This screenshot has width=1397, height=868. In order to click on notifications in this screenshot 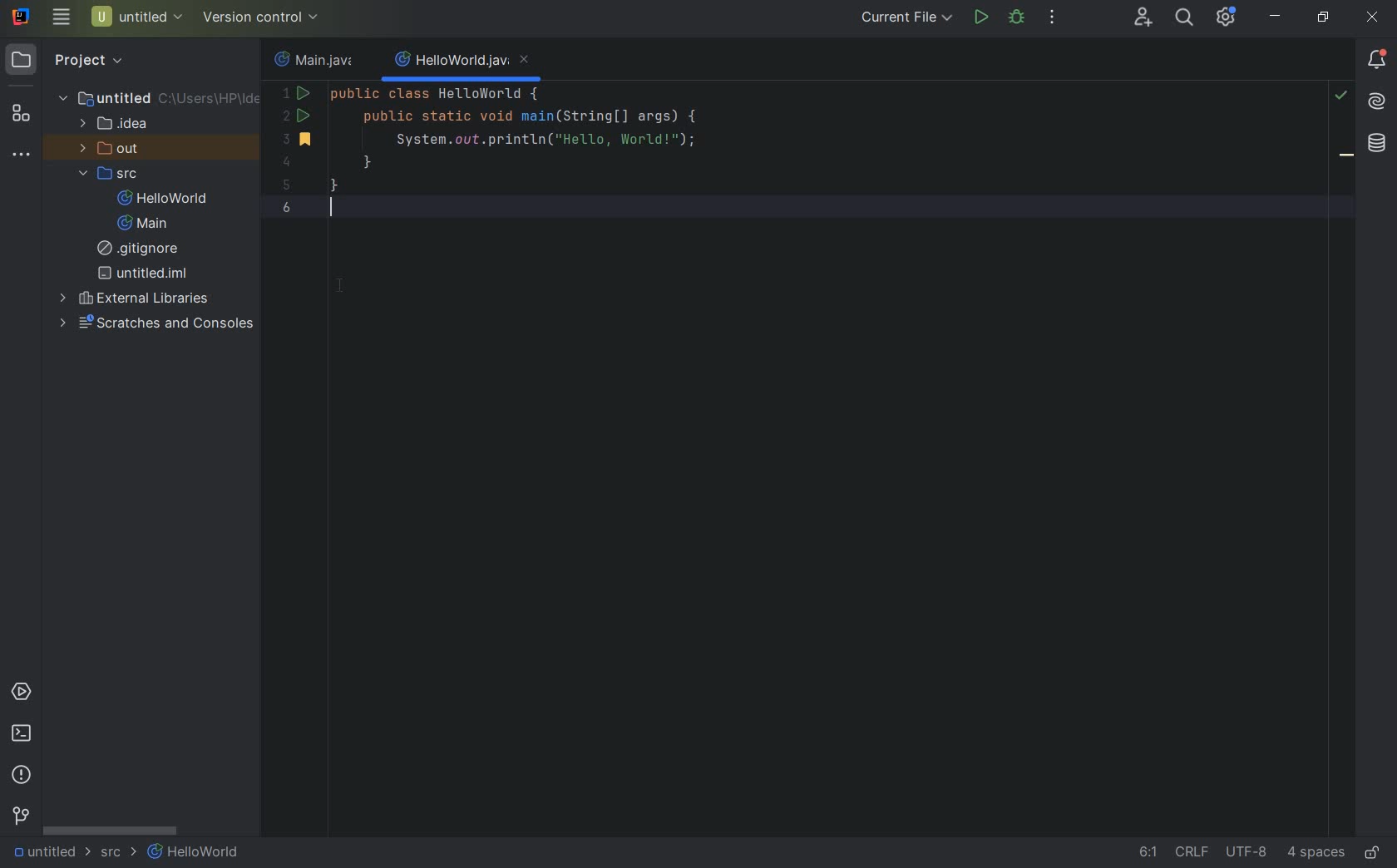, I will do `click(1377, 60)`.